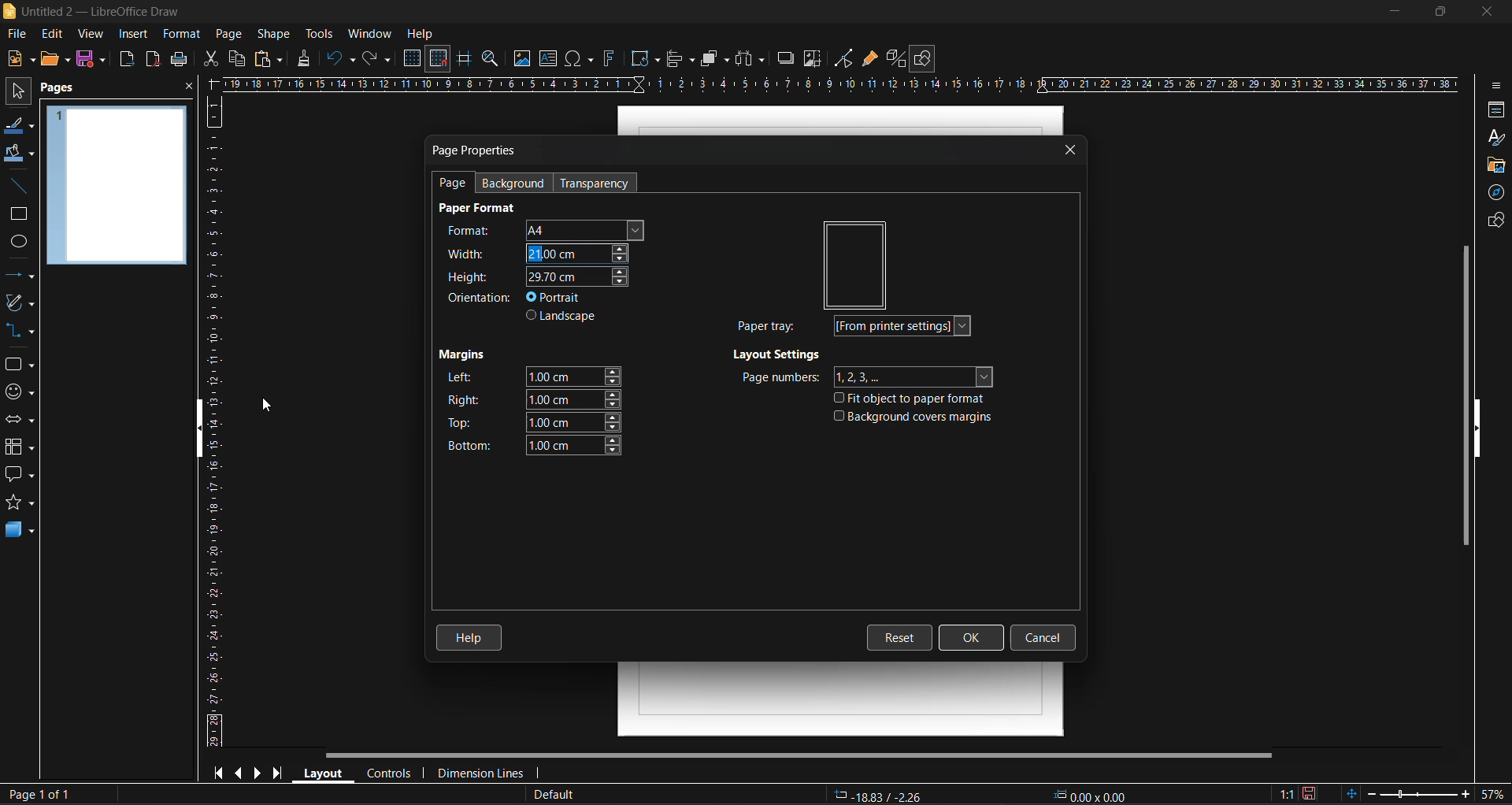 Image resolution: width=1512 pixels, height=805 pixels. What do you see at coordinates (54, 60) in the screenshot?
I see `open` at bounding box center [54, 60].